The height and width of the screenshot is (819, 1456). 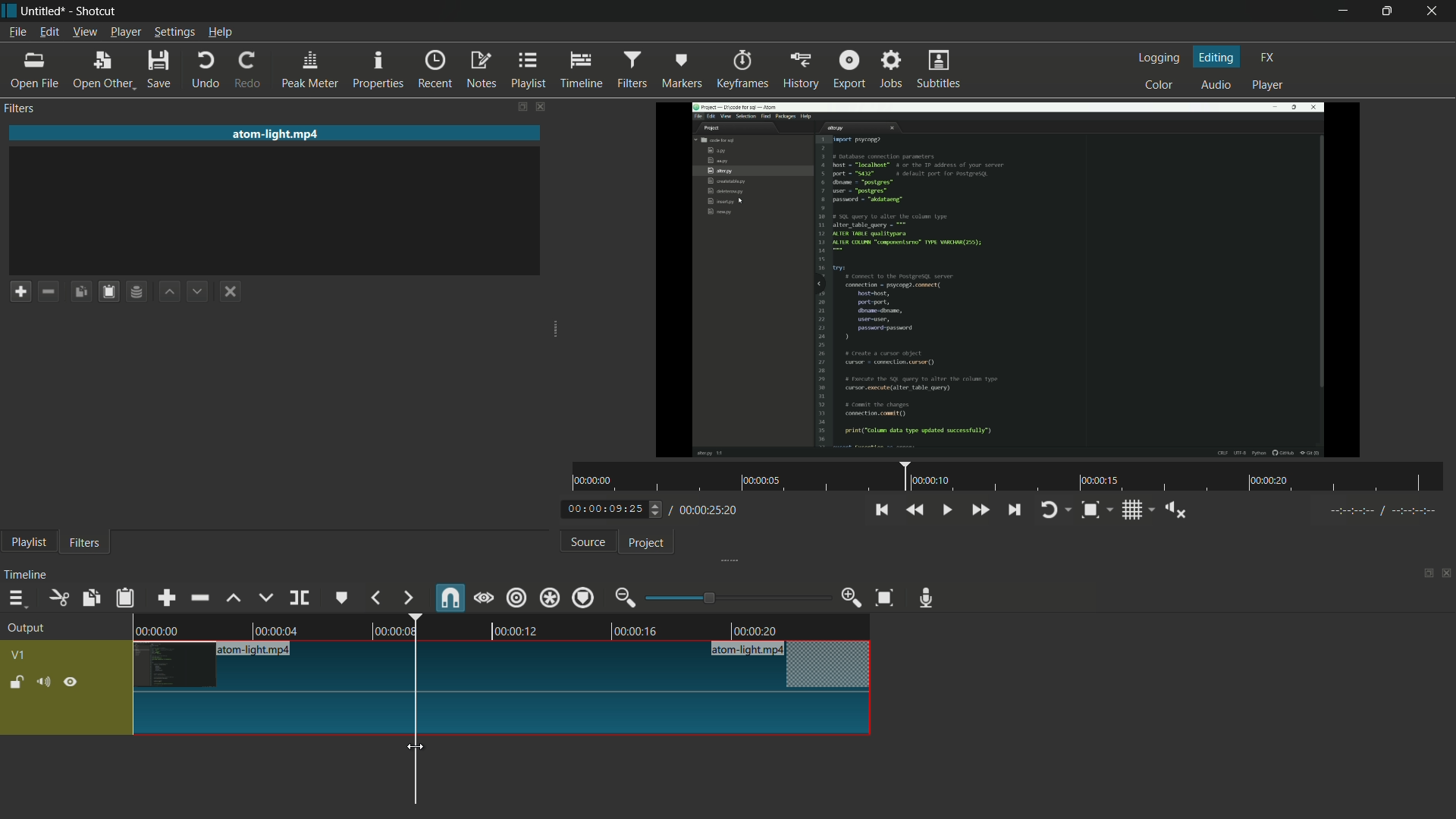 What do you see at coordinates (111, 291) in the screenshot?
I see `paste filters` at bounding box center [111, 291].